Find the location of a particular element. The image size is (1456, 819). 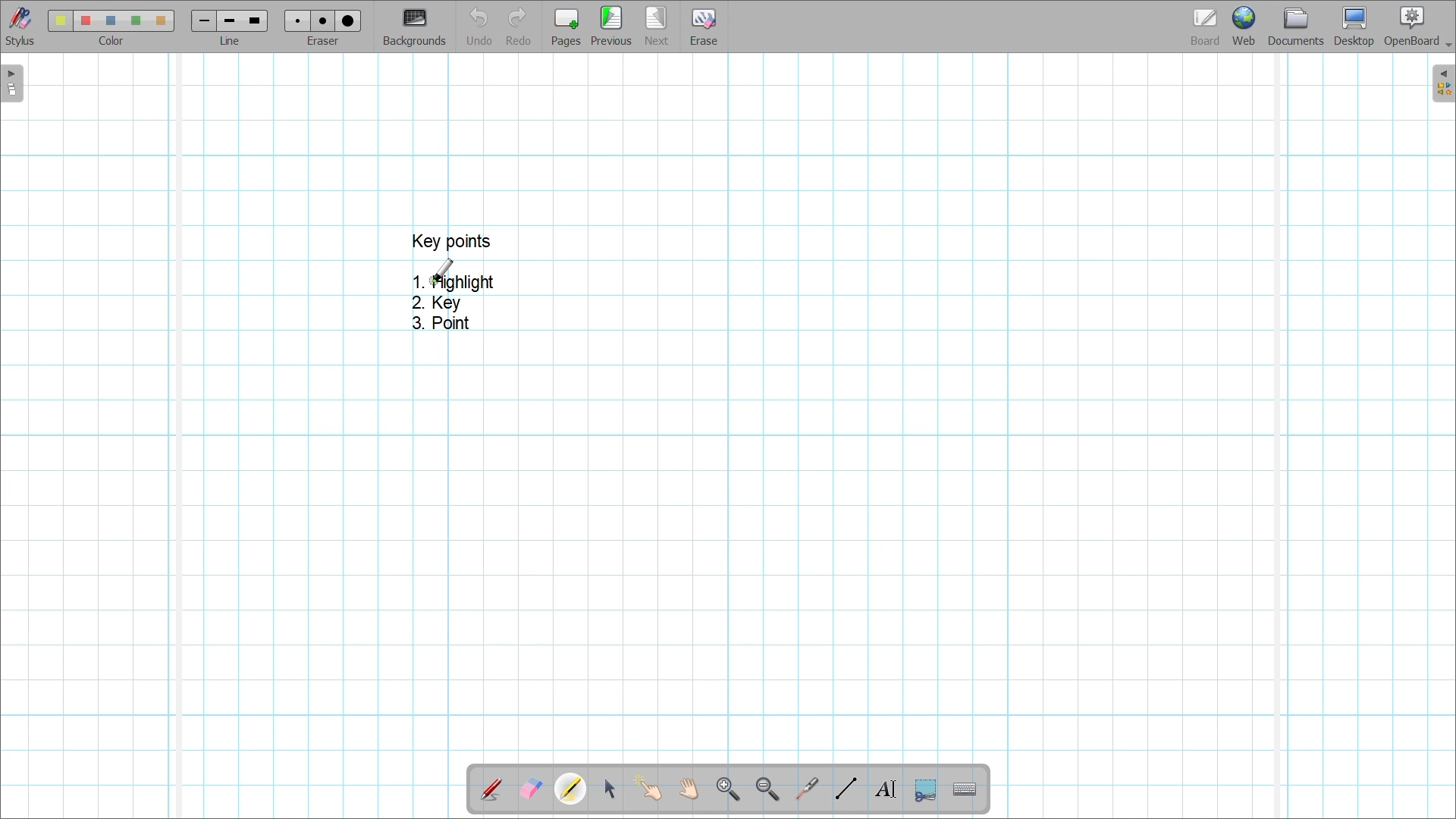

Display virtual keyboard is located at coordinates (965, 789).